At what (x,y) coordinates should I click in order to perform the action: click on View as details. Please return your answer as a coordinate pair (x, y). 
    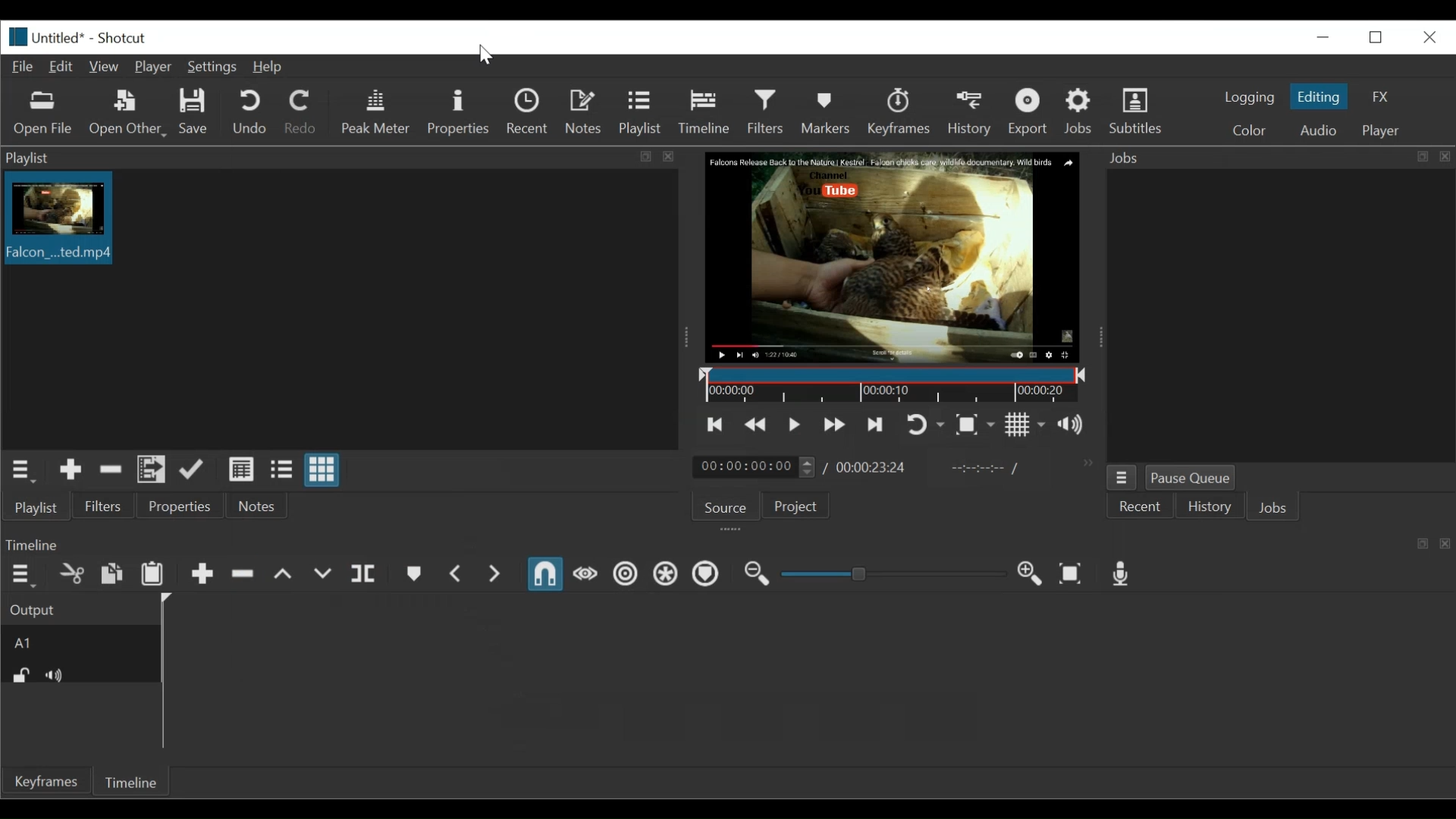
    Looking at the image, I should click on (240, 472).